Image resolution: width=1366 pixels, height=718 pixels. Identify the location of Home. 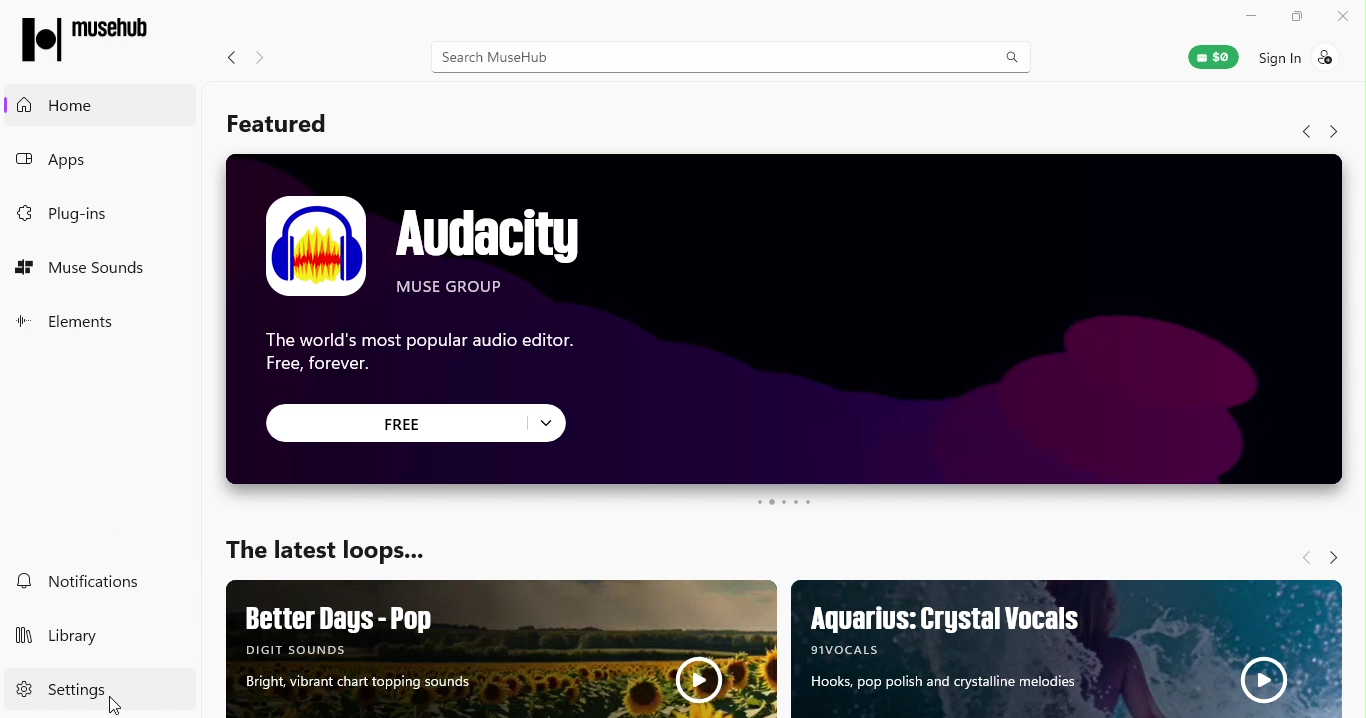
(107, 106).